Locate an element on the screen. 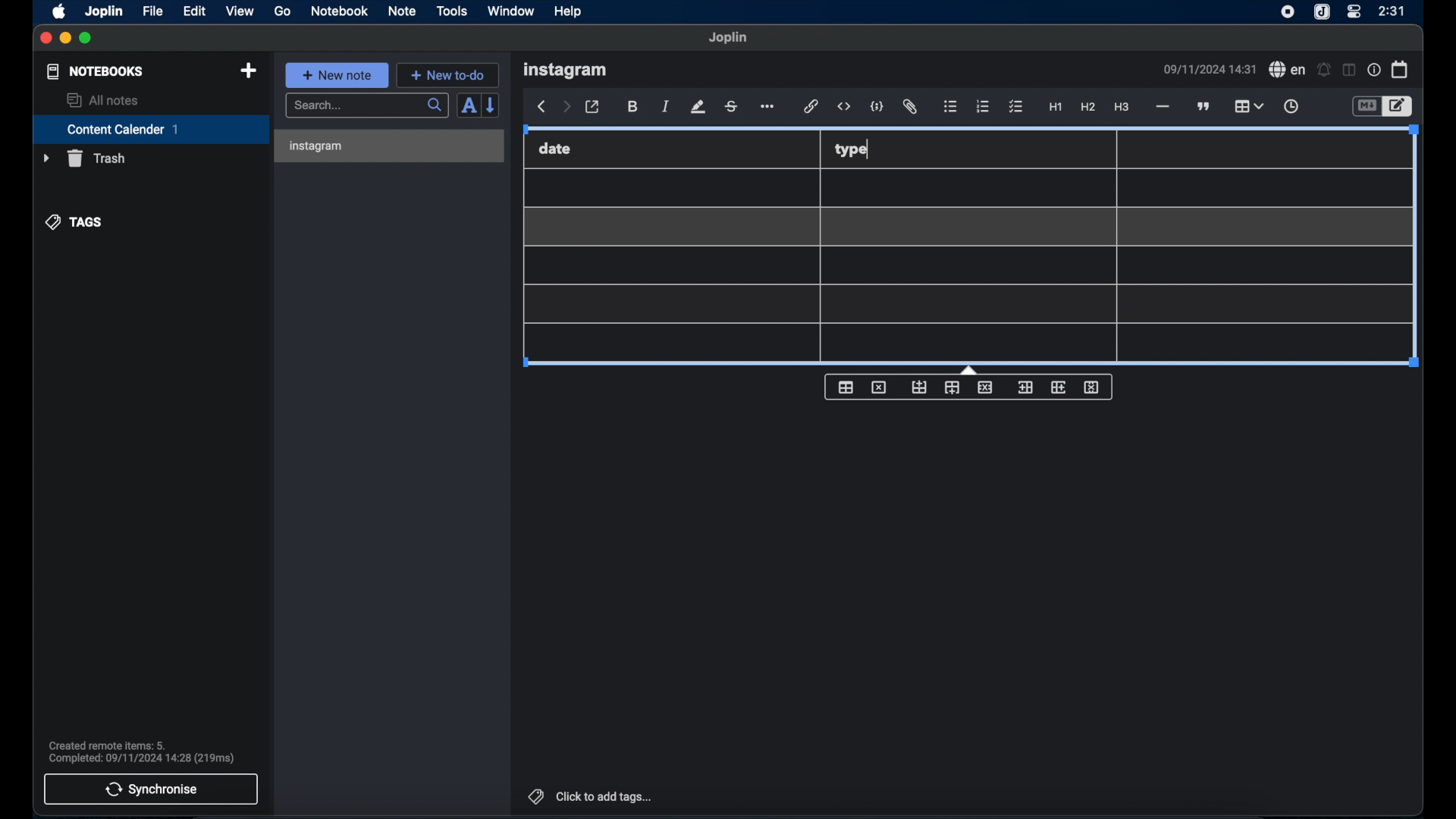  heading 1 is located at coordinates (1056, 108).